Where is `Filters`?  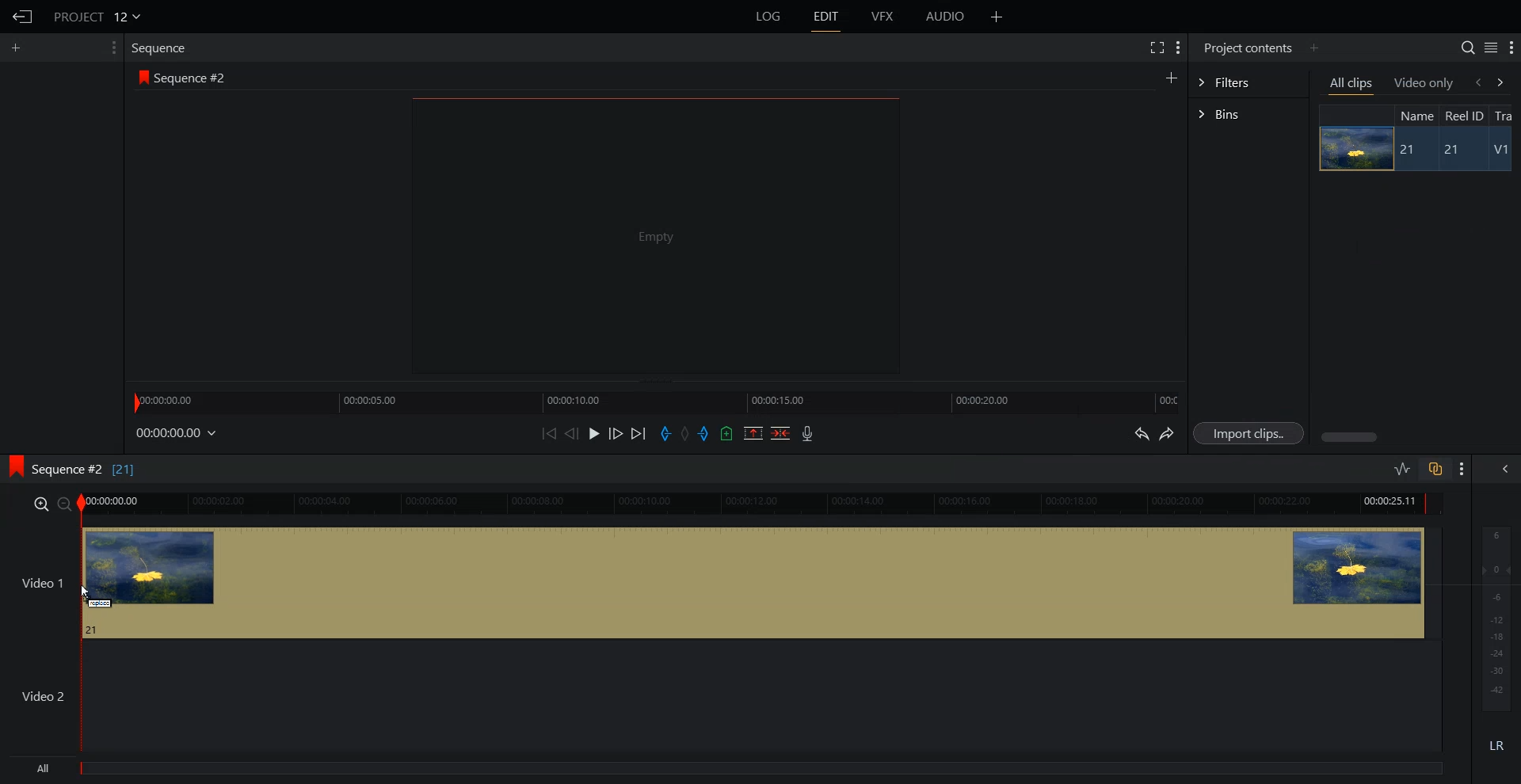 Filters is located at coordinates (1248, 82).